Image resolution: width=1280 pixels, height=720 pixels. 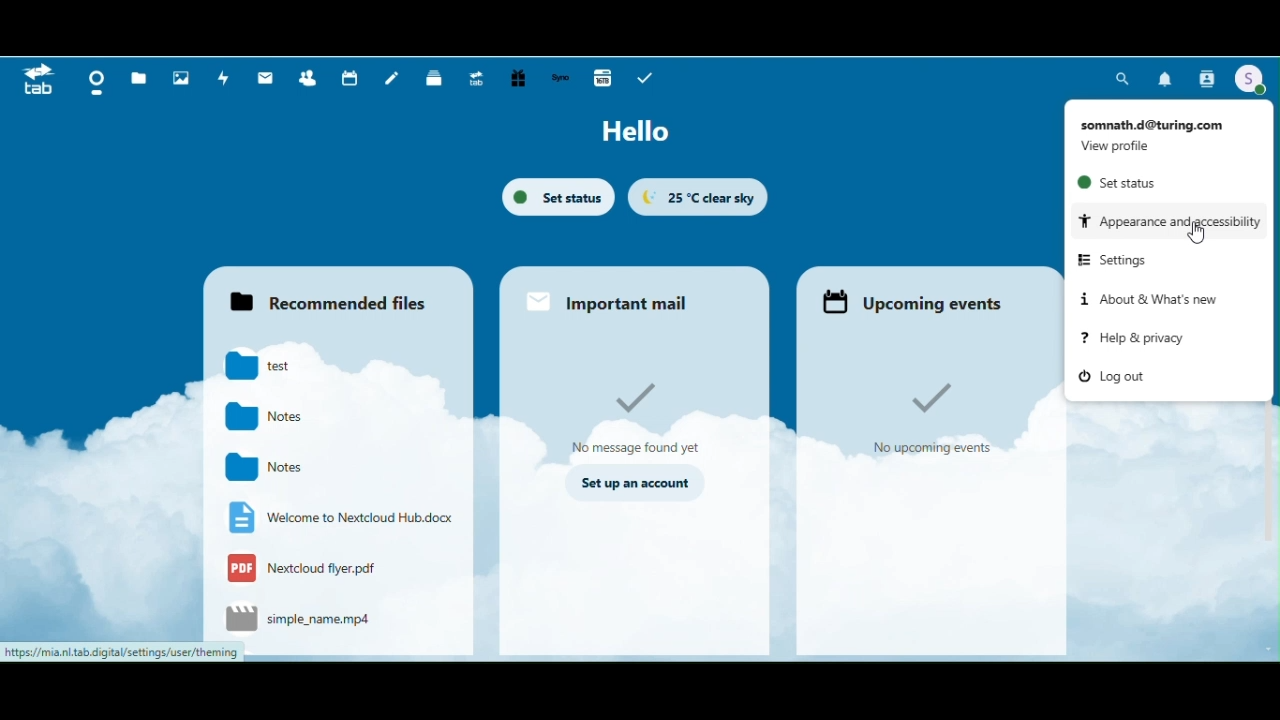 I want to click on Notes, so click(x=276, y=417).